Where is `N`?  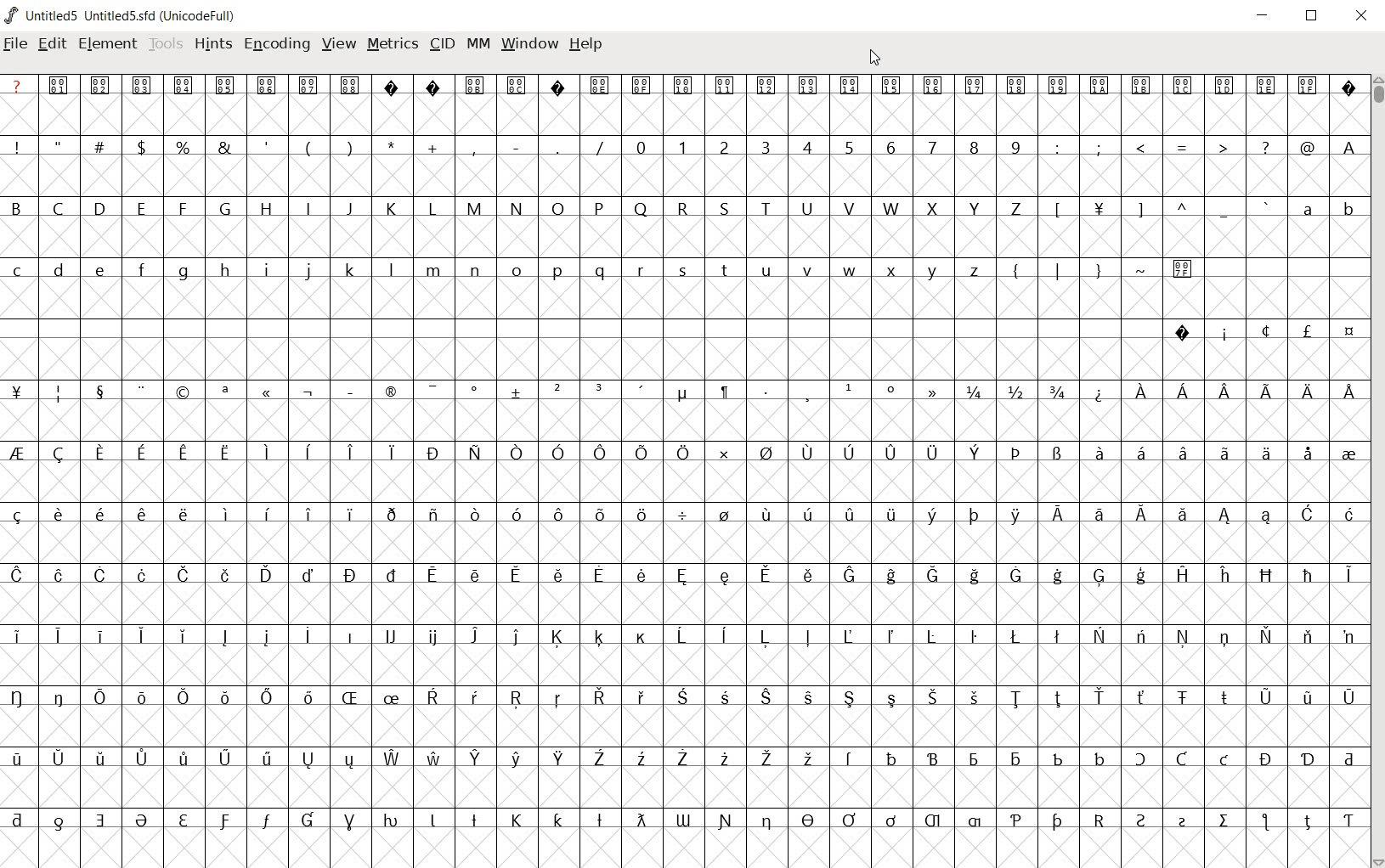 N is located at coordinates (514, 207).